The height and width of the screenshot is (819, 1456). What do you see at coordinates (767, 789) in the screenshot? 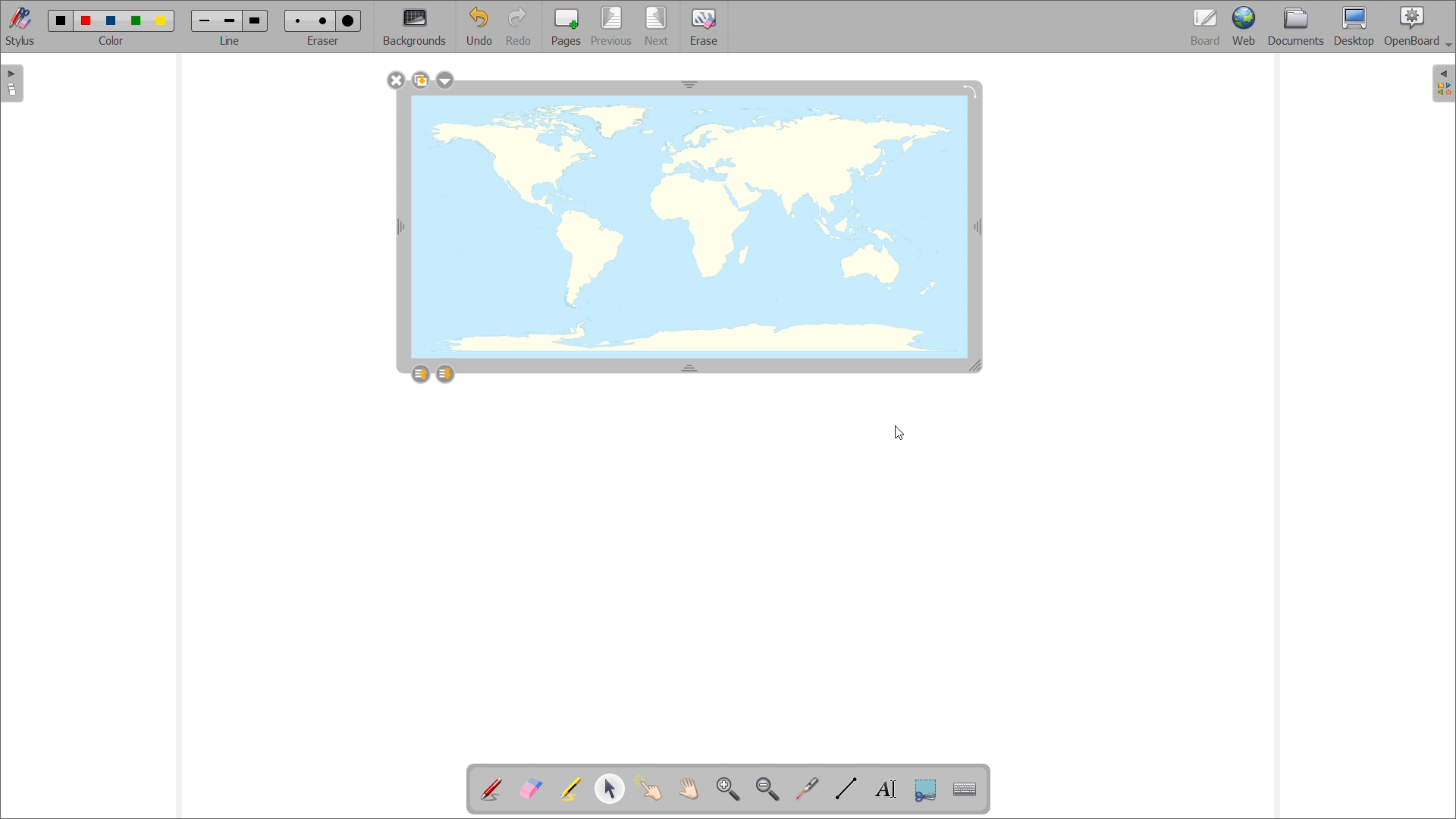
I see `zoom out` at bounding box center [767, 789].